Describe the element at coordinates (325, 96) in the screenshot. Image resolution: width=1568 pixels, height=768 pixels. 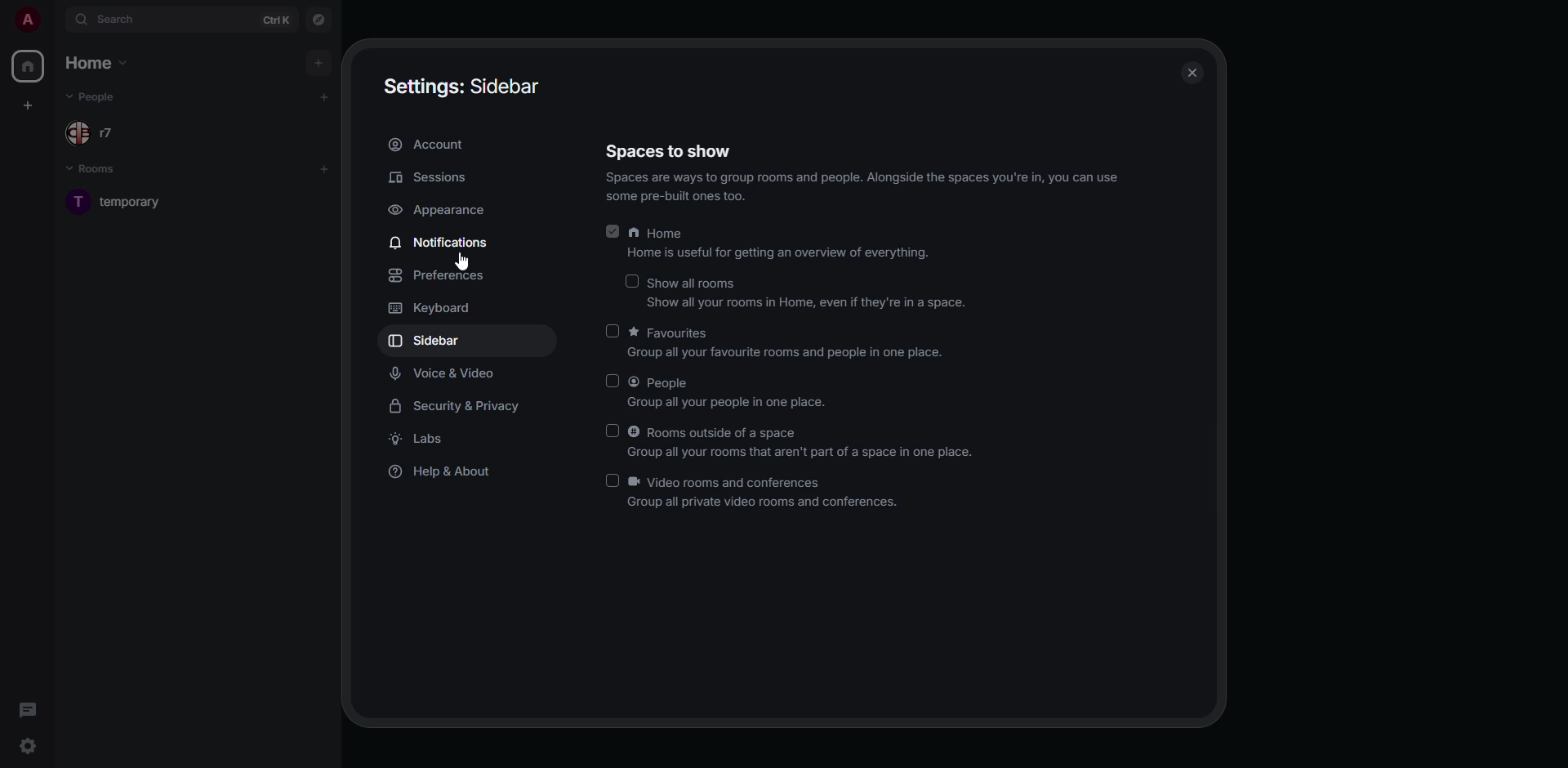
I see `add` at that location.